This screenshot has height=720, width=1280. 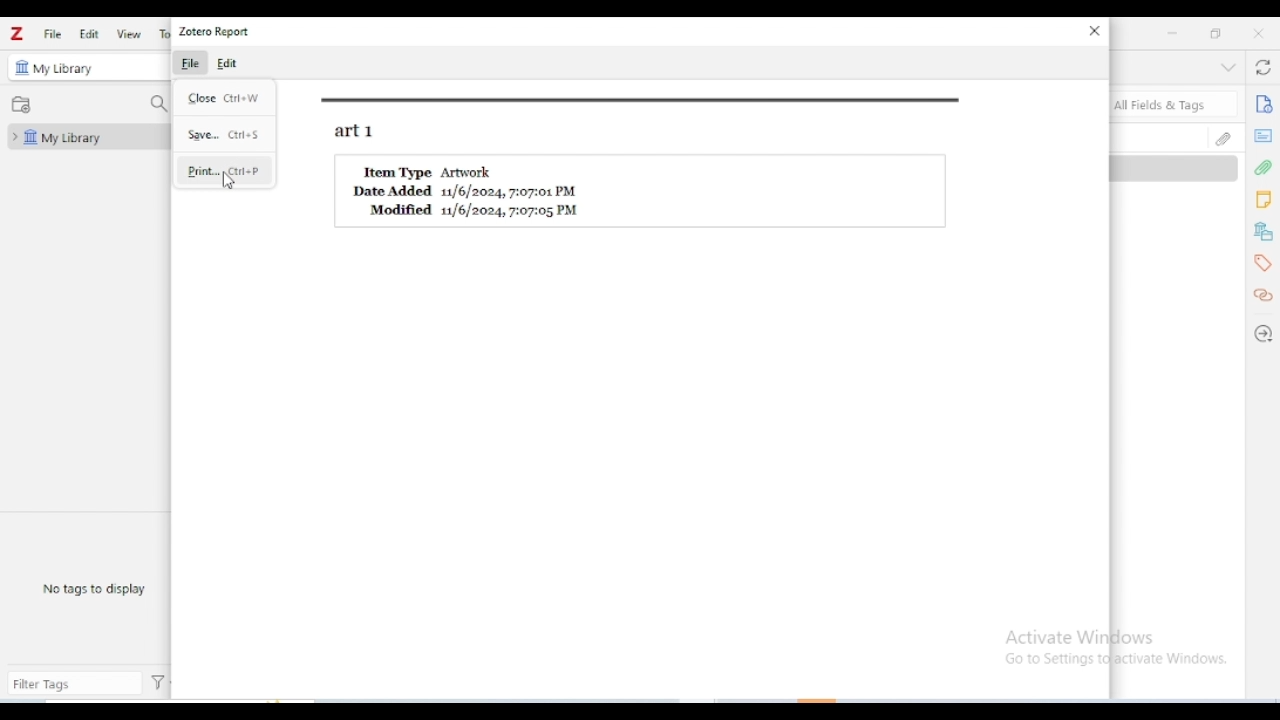 I want to click on Activate Windows, so click(x=1080, y=637).